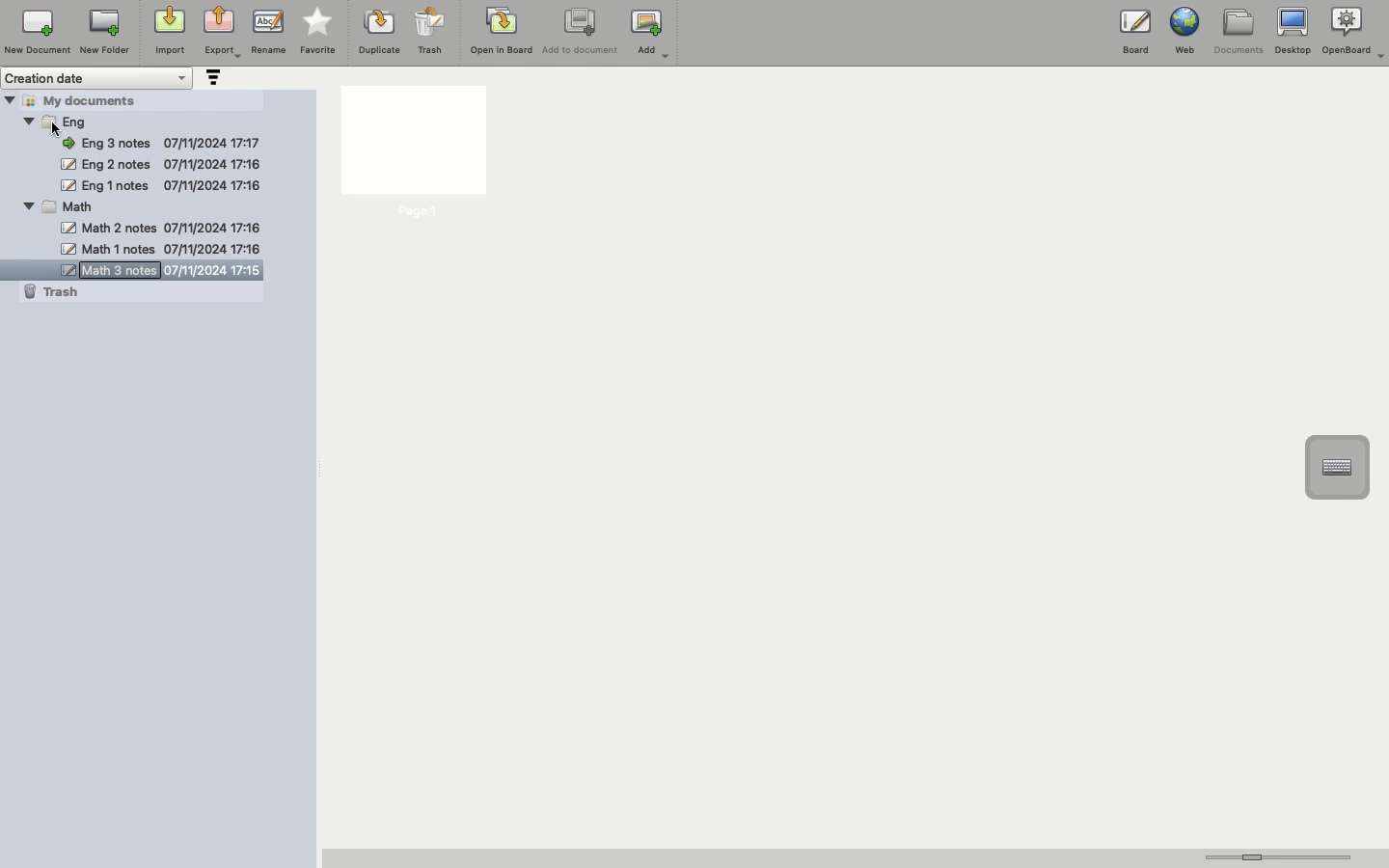  Describe the element at coordinates (430, 31) in the screenshot. I see `Trash` at that location.